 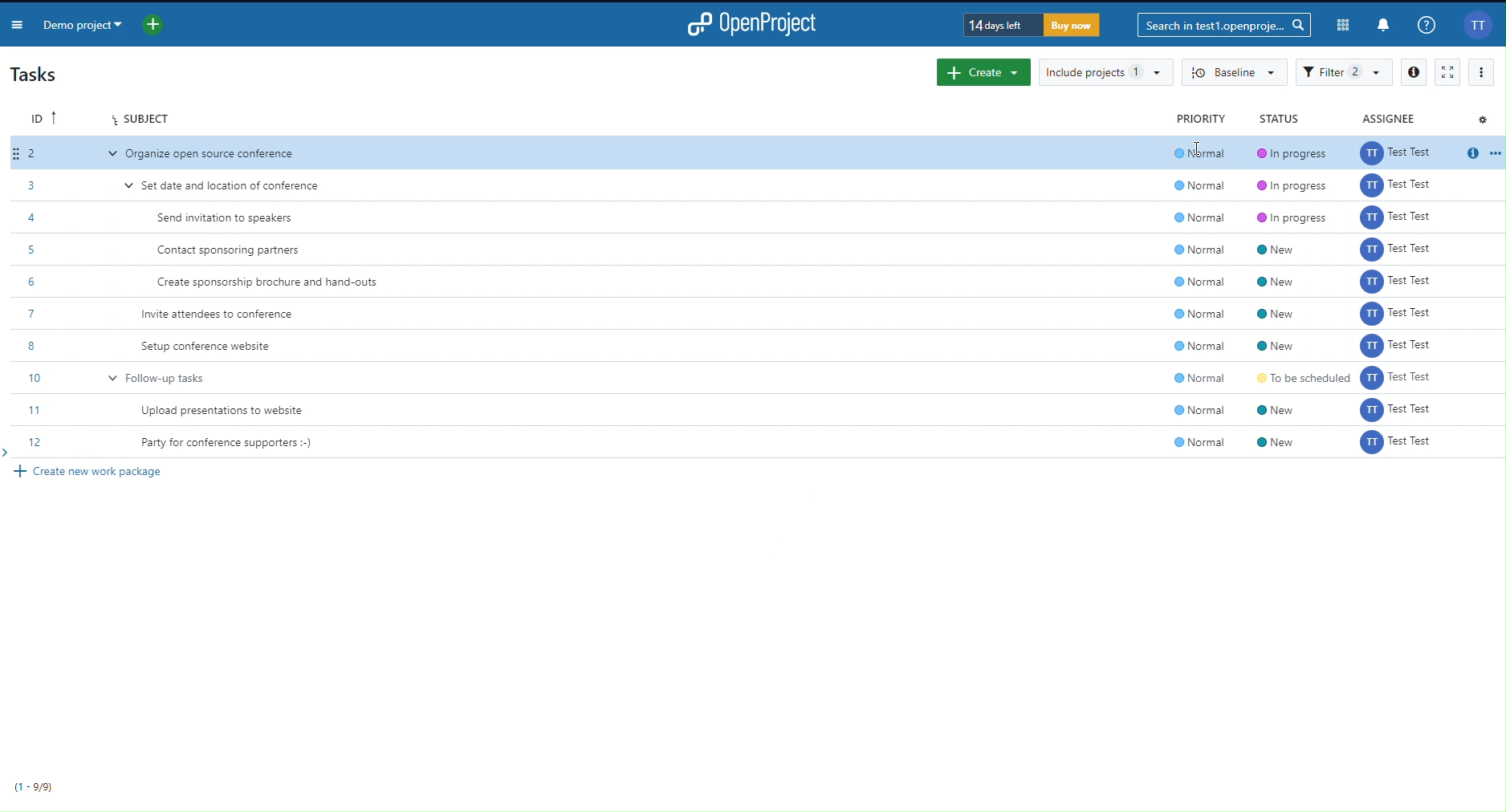 I want to click on More Options, so click(x=16, y=22).